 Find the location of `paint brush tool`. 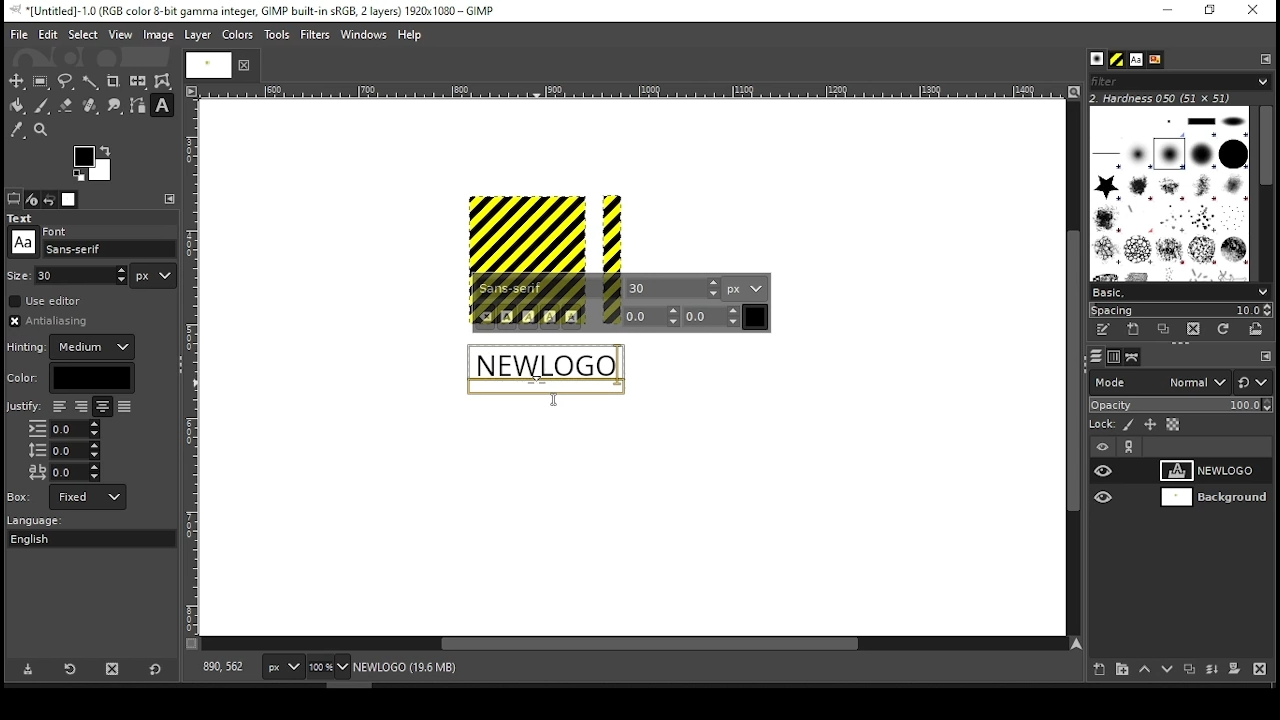

paint brush tool is located at coordinates (42, 105).